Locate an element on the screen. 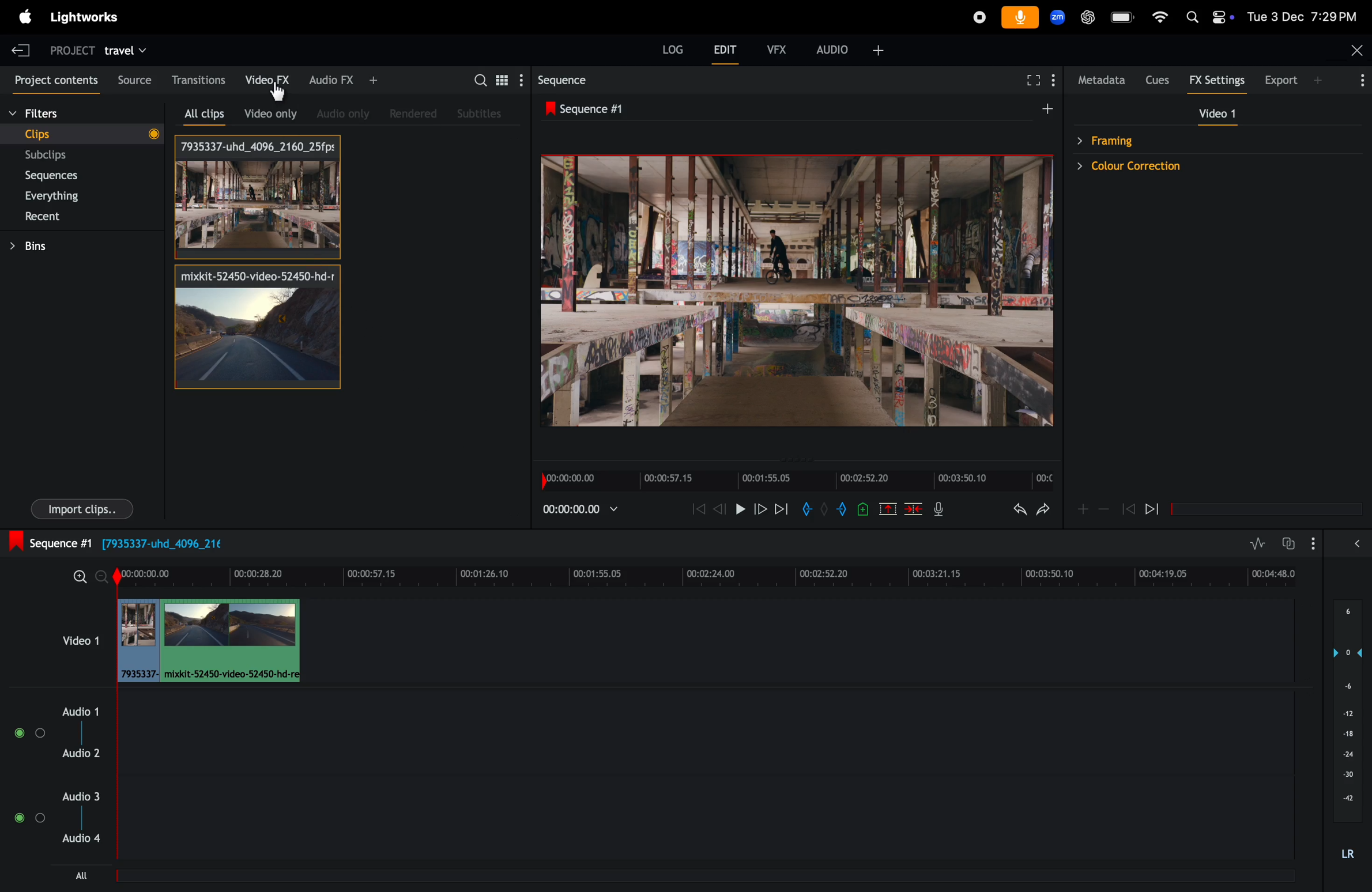  Video only is located at coordinates (270, 114).